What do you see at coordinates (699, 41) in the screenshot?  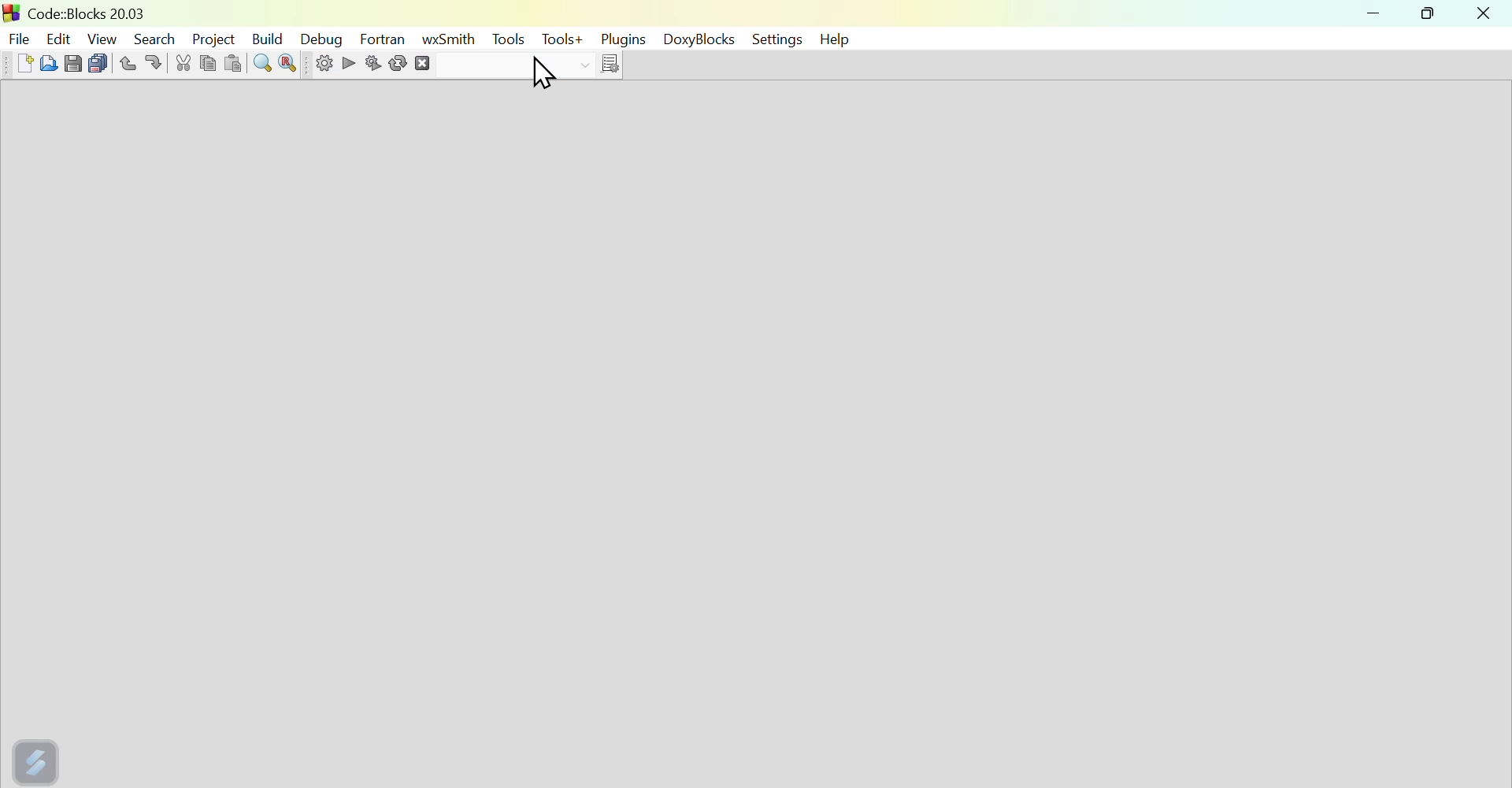 I see `Doxyblocks` at bounding box center [699, 41].